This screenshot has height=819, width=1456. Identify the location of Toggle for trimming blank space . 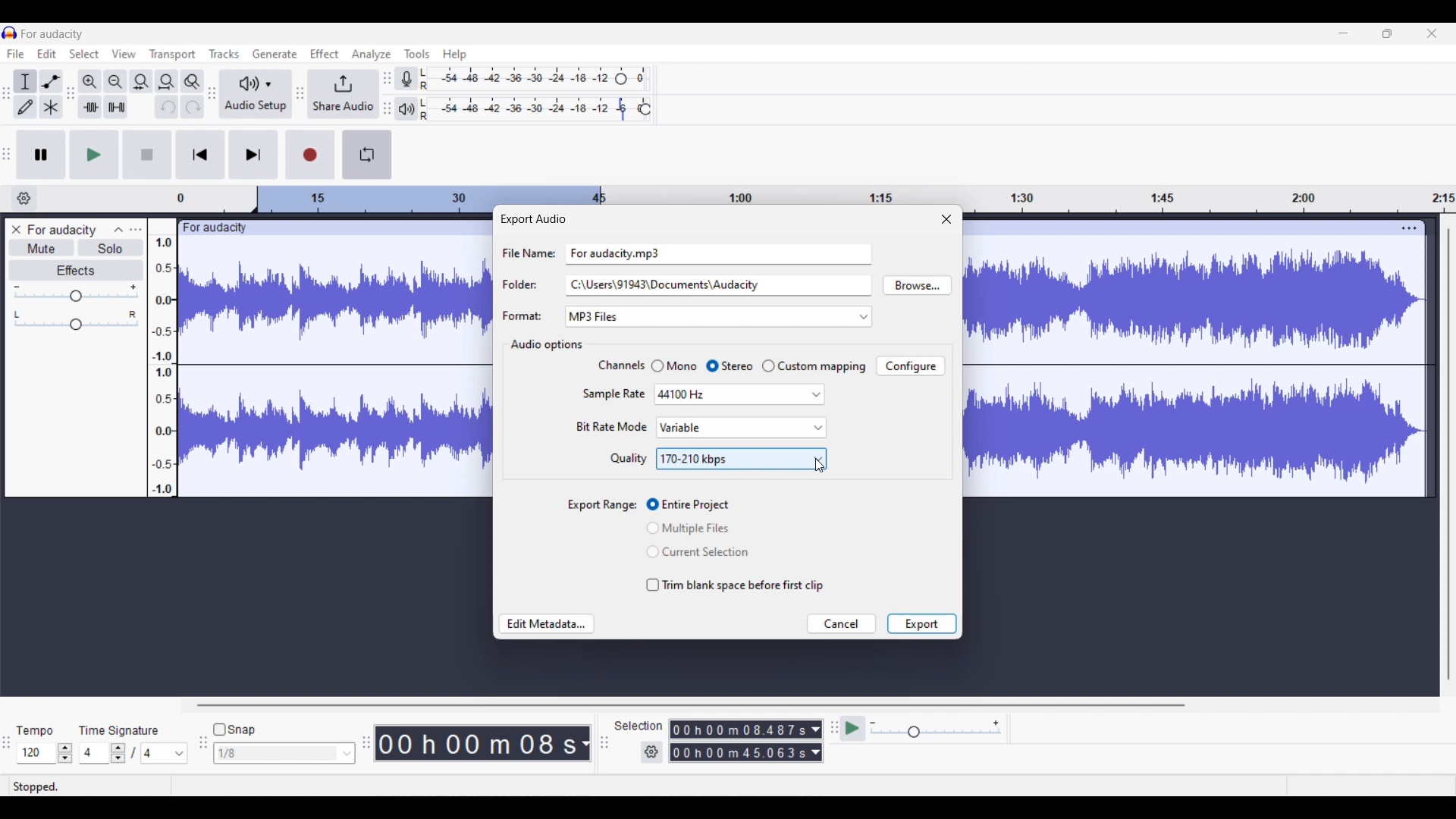
(736, 585).